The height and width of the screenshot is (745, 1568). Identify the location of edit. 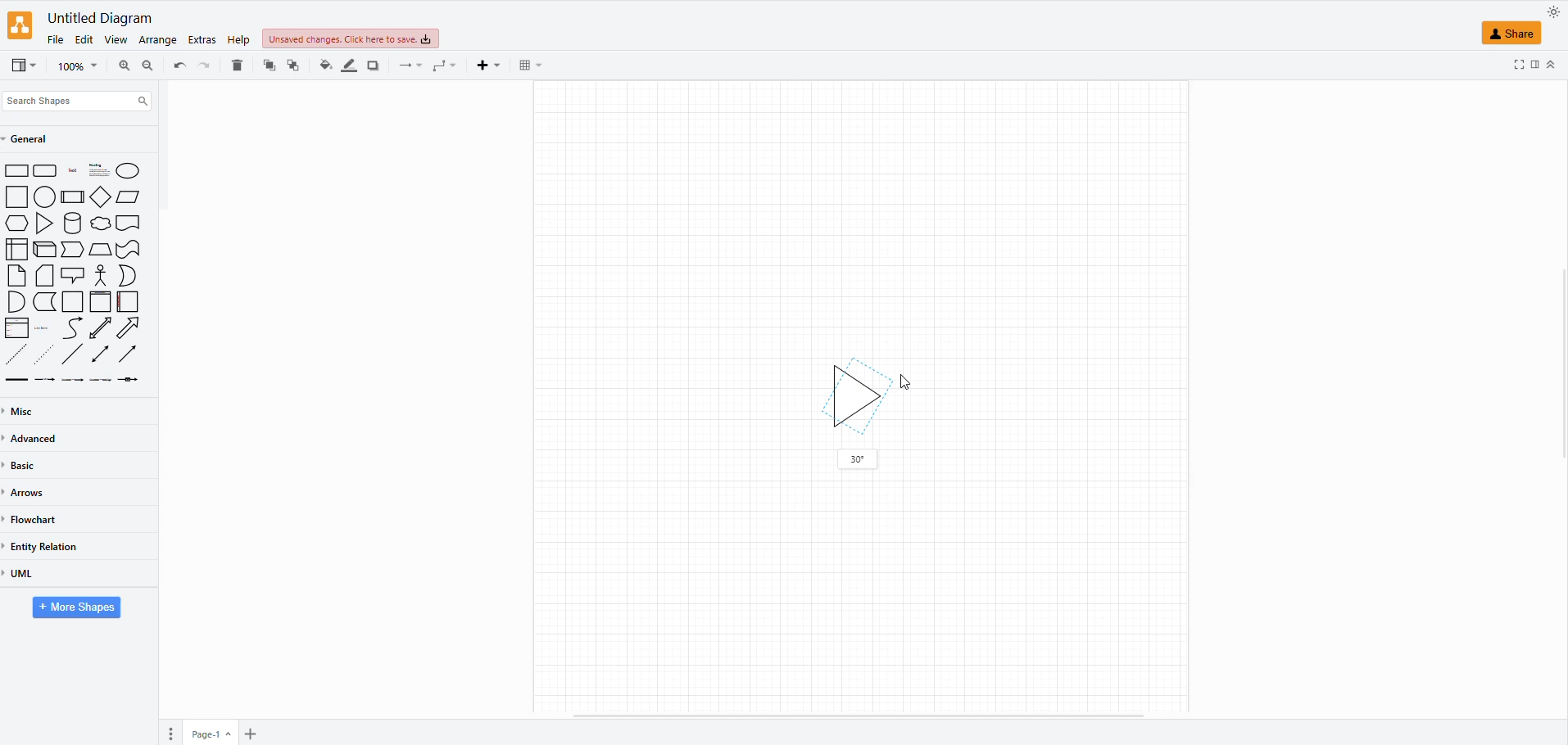
(84, 38).